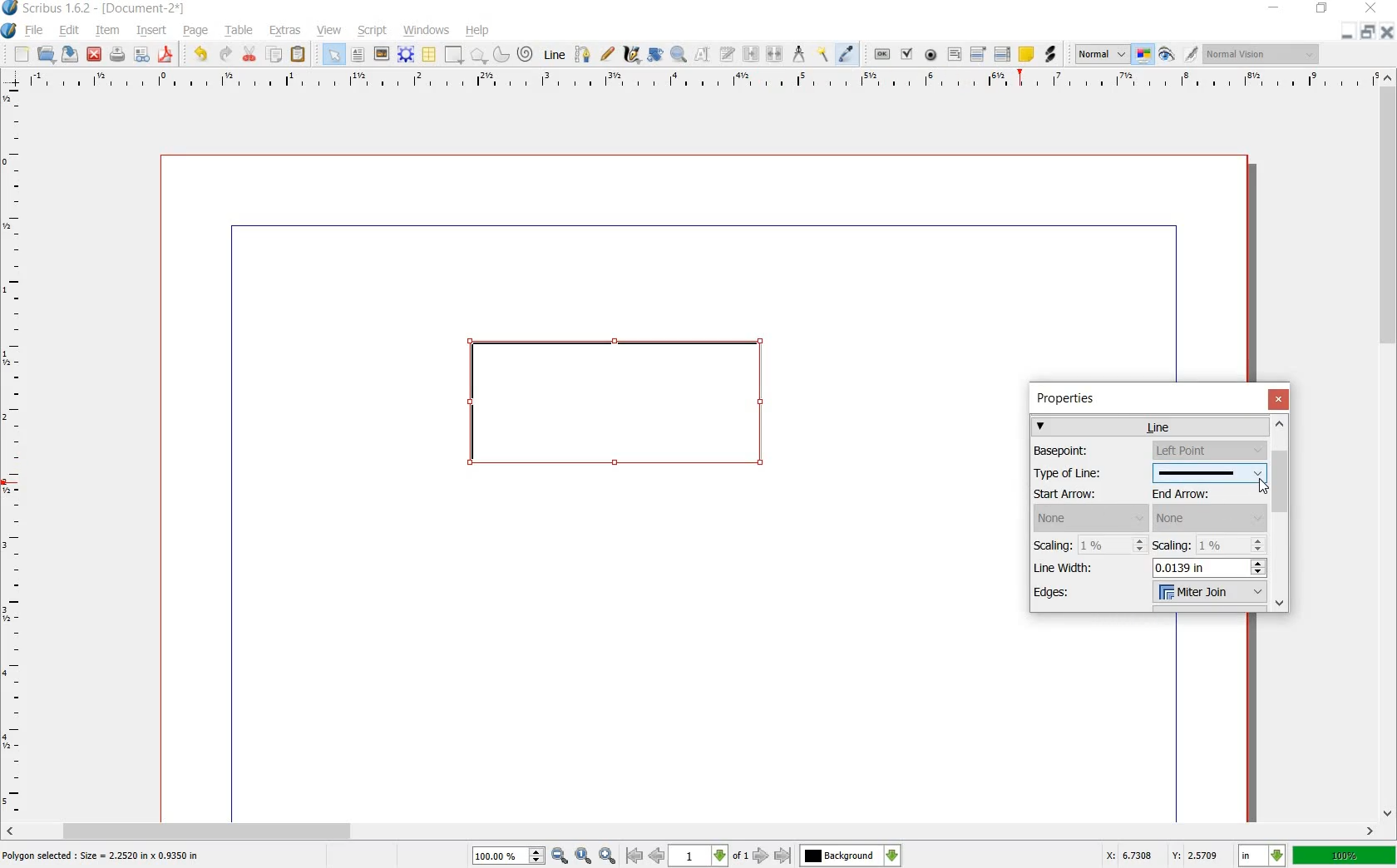  What do you see at coordinates (728, 55) in the screenshot?
I see `EDIT TEXT WITH STORY EDITOR` at bounding box center [728, 55].